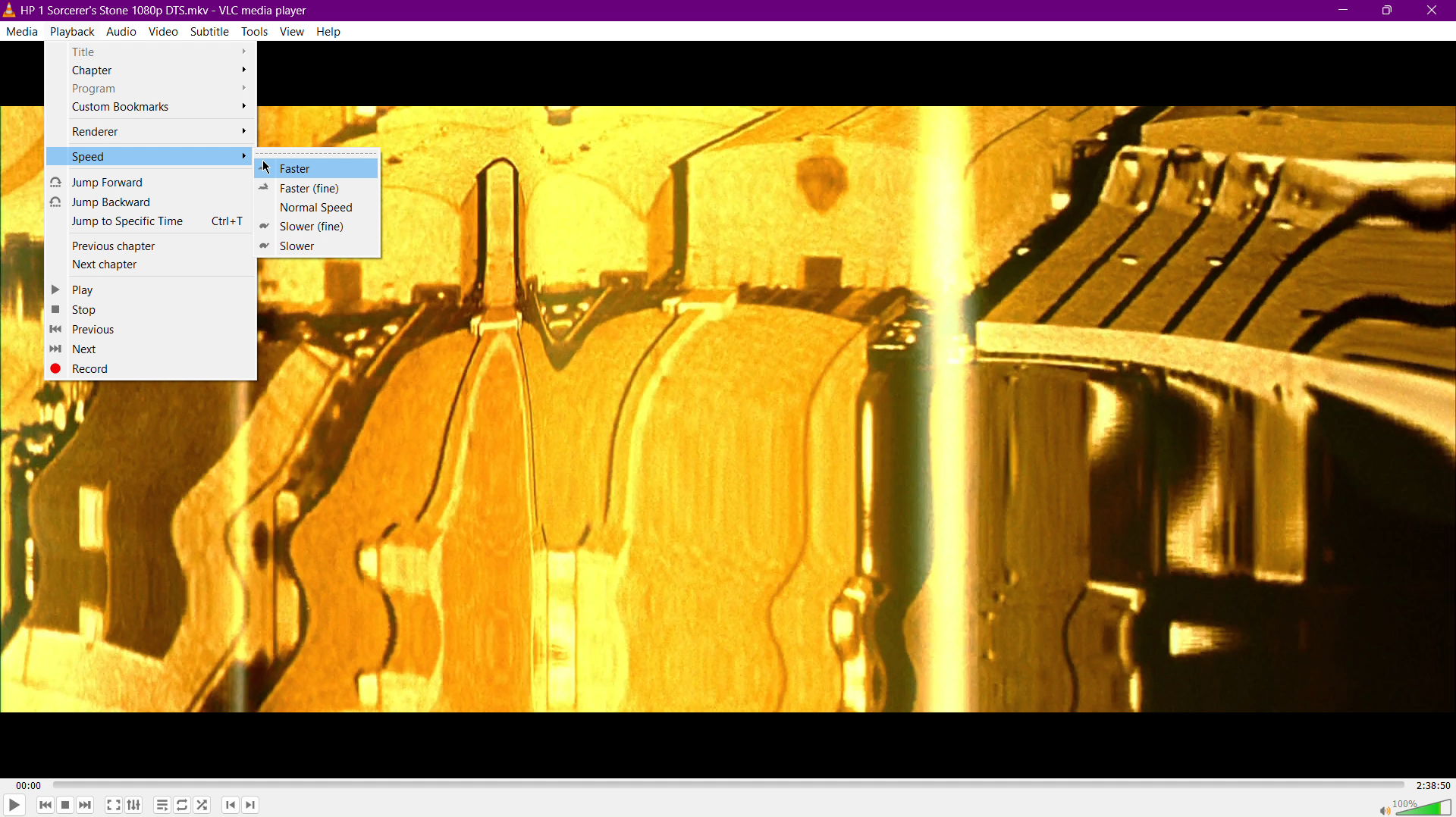  I want to click on Custom Bookmarks, so click(151, 108).